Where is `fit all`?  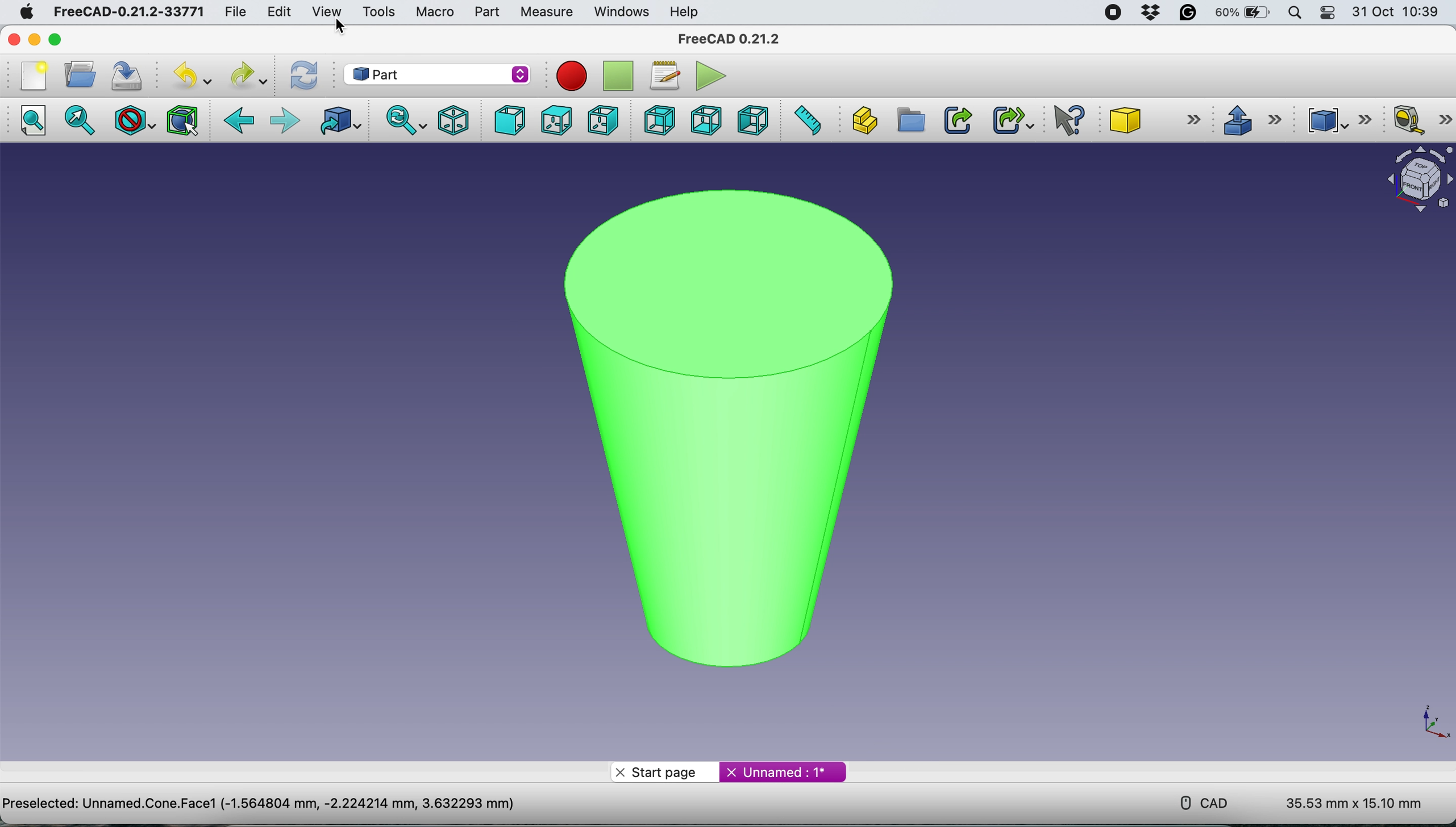 fit all is located at coordinates (37, 124).